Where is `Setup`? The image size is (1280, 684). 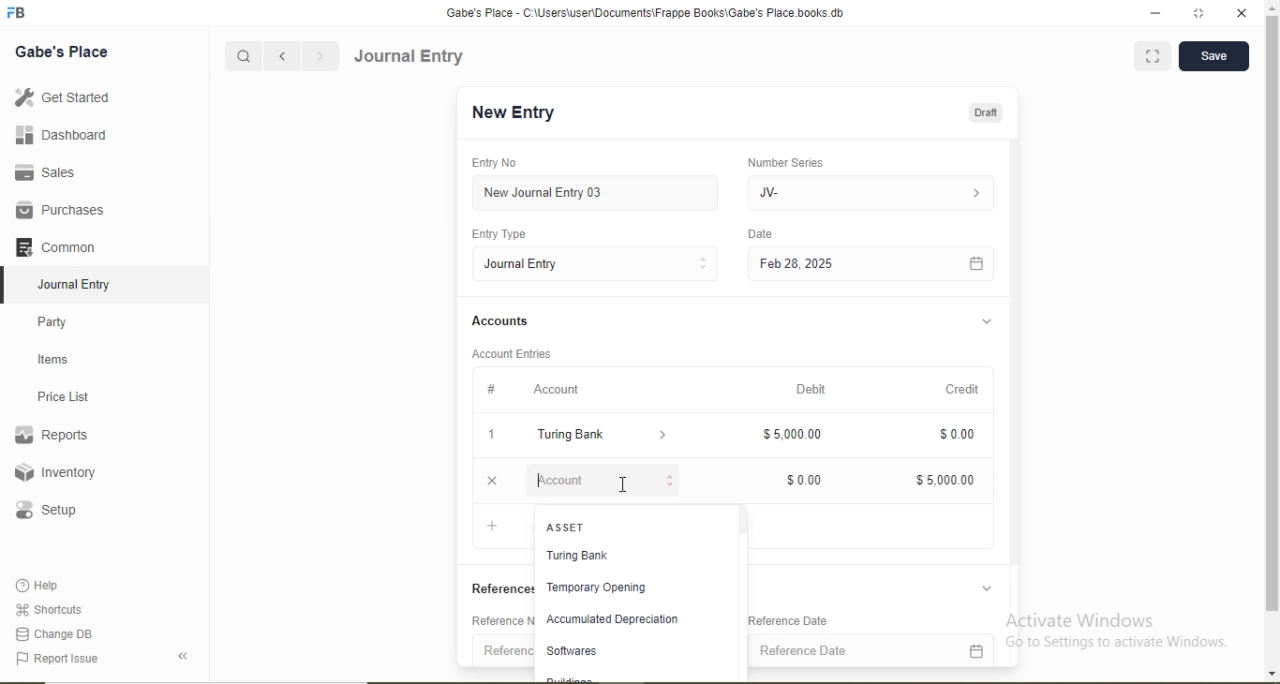 Setup is located at coordinates (45, 510).